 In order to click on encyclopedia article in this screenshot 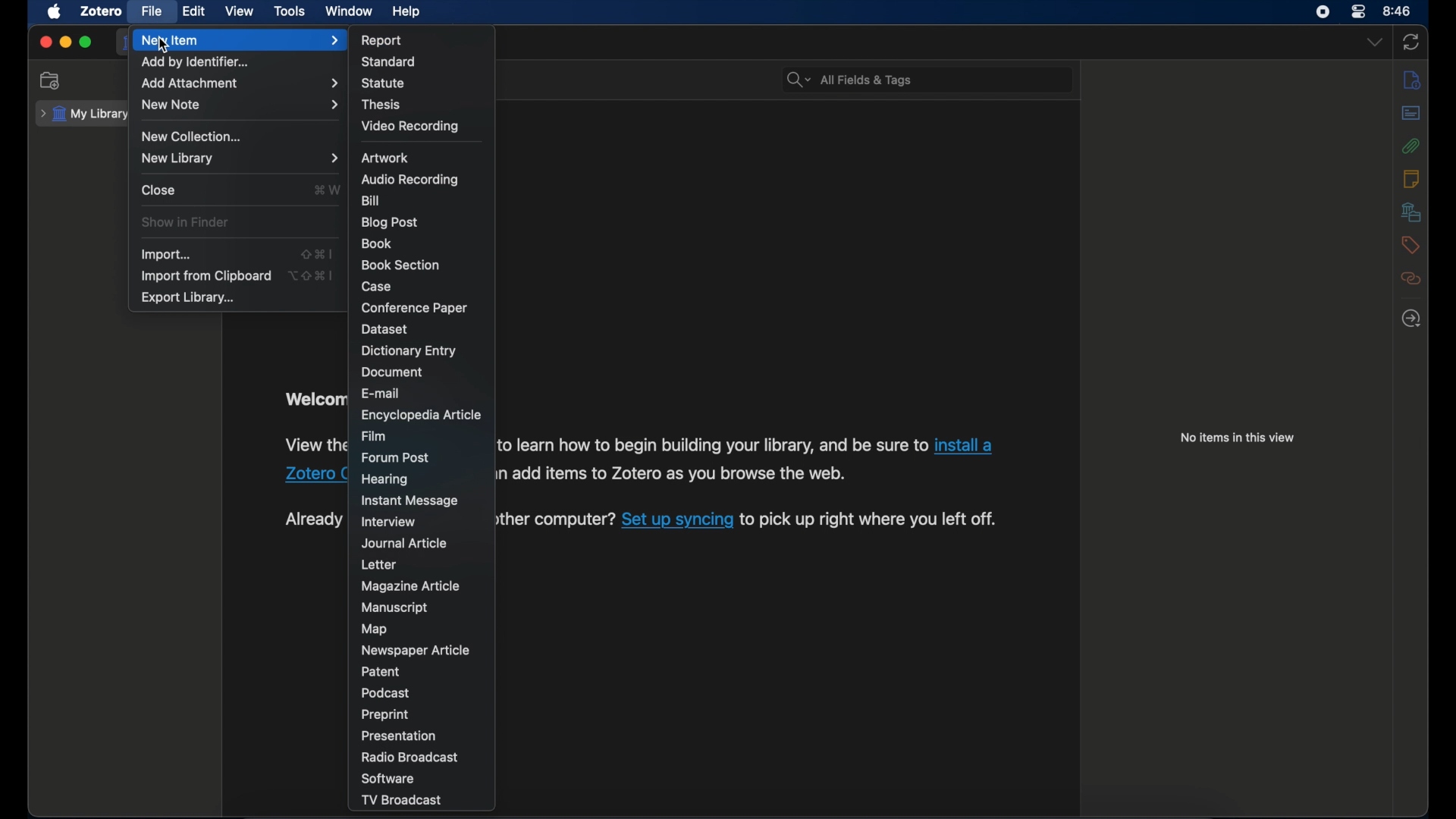, I will do `click(420, 414)`.